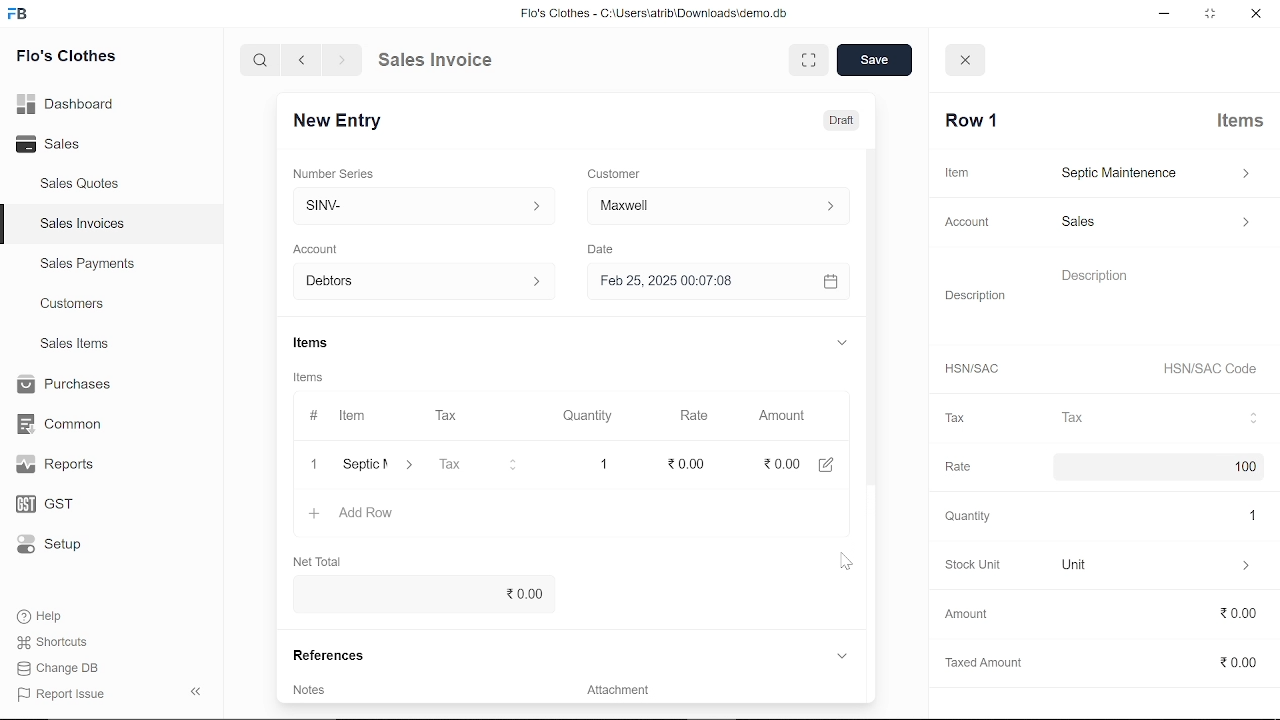  Describe the element at coordinates (843, 118) in the screenshot. I see `Draft` at that location.